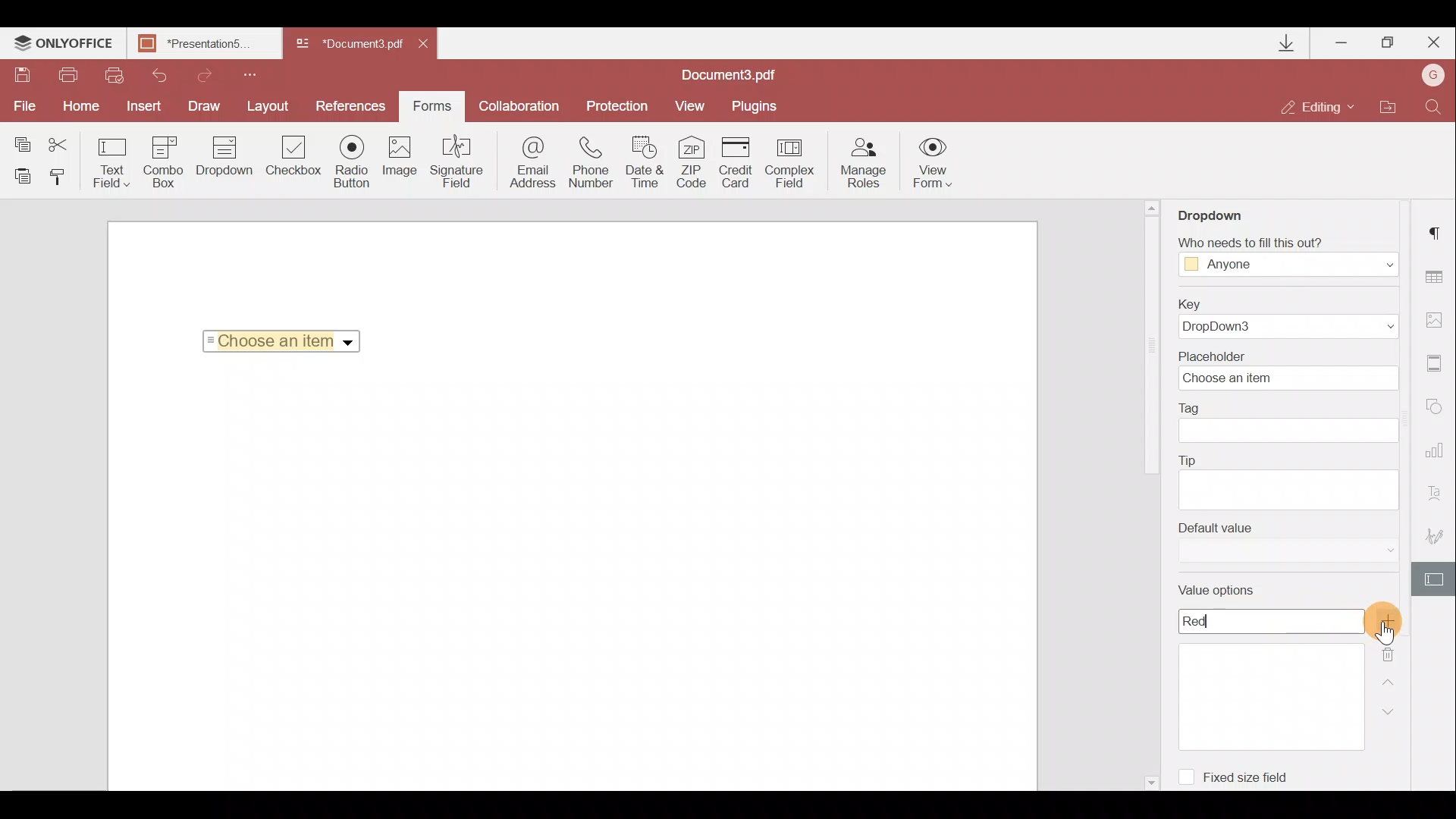 The image size is (1456, 819). I want to click on Document name, so click(209, 45).